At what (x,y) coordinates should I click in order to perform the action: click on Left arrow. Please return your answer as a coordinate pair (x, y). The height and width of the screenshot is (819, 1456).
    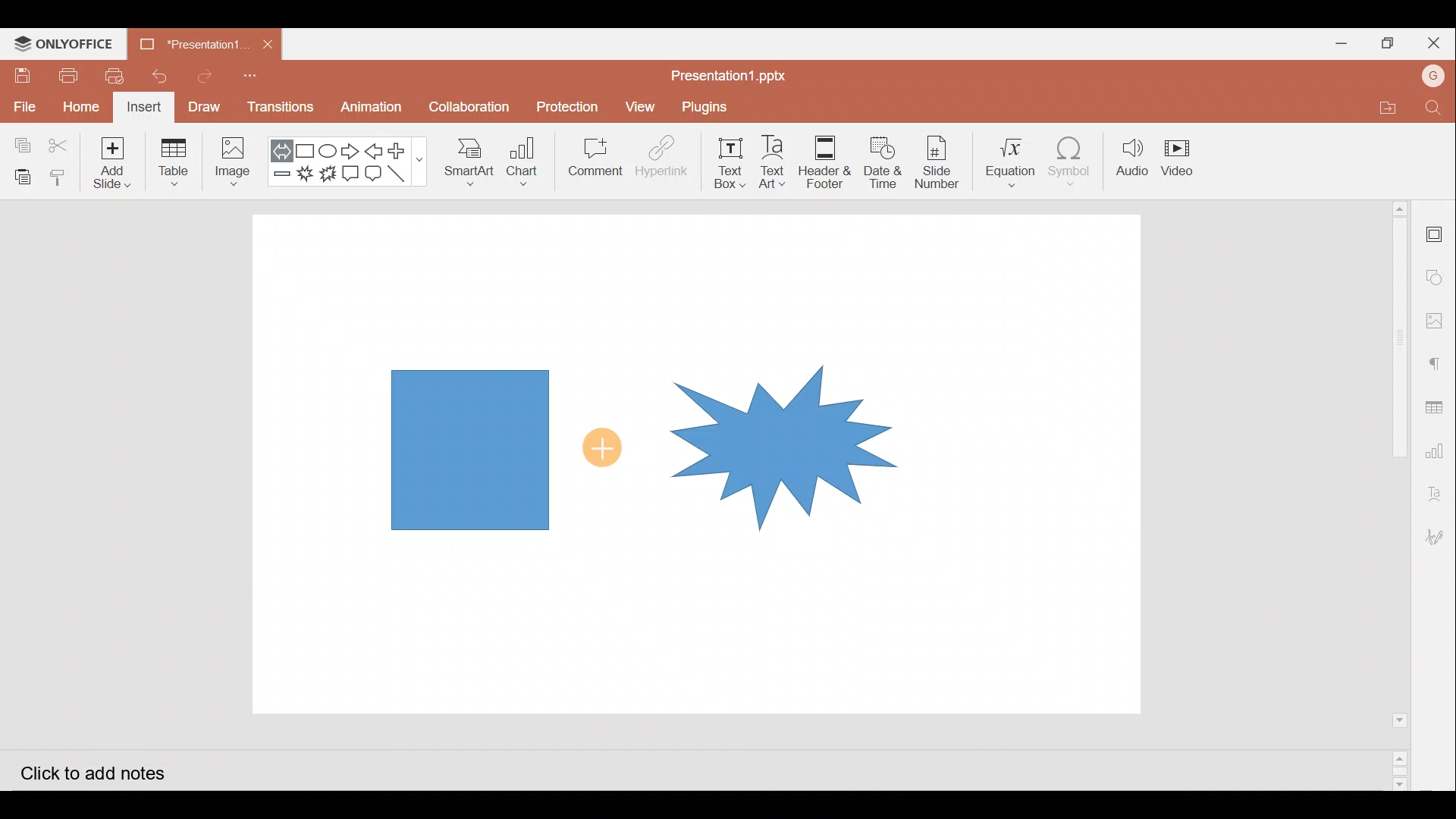
    Looking at the image, I should click on (377, 151).